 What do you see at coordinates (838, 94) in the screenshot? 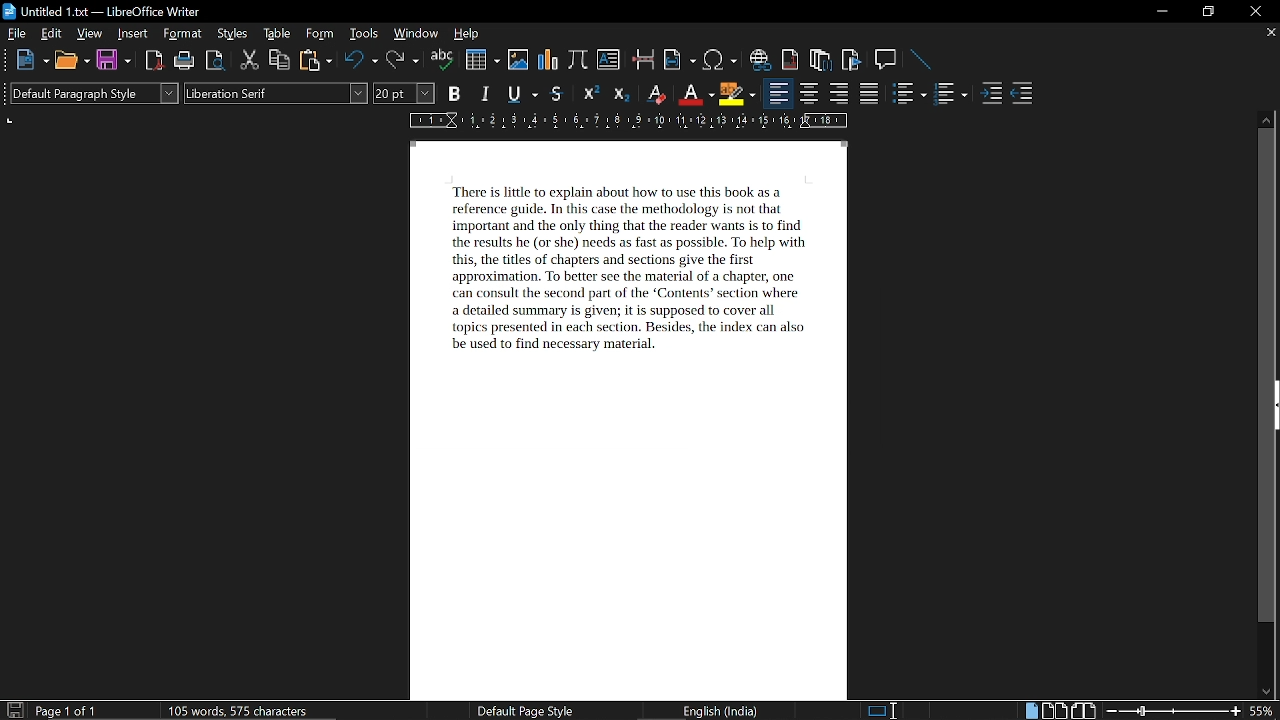
I see `align right` at bounding box center [838, 94].